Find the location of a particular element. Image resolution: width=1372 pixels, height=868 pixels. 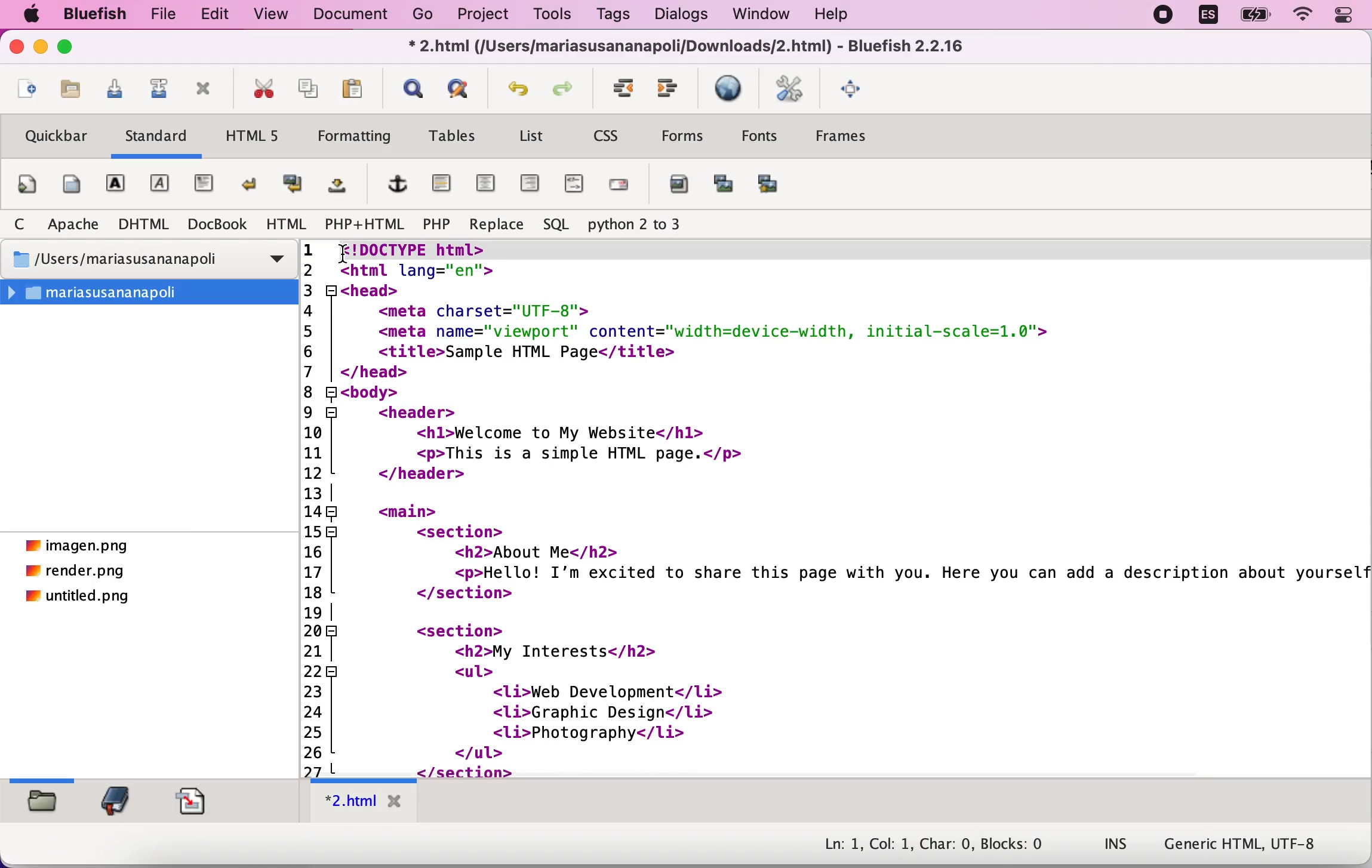

html is located at coordinates (285, 224).